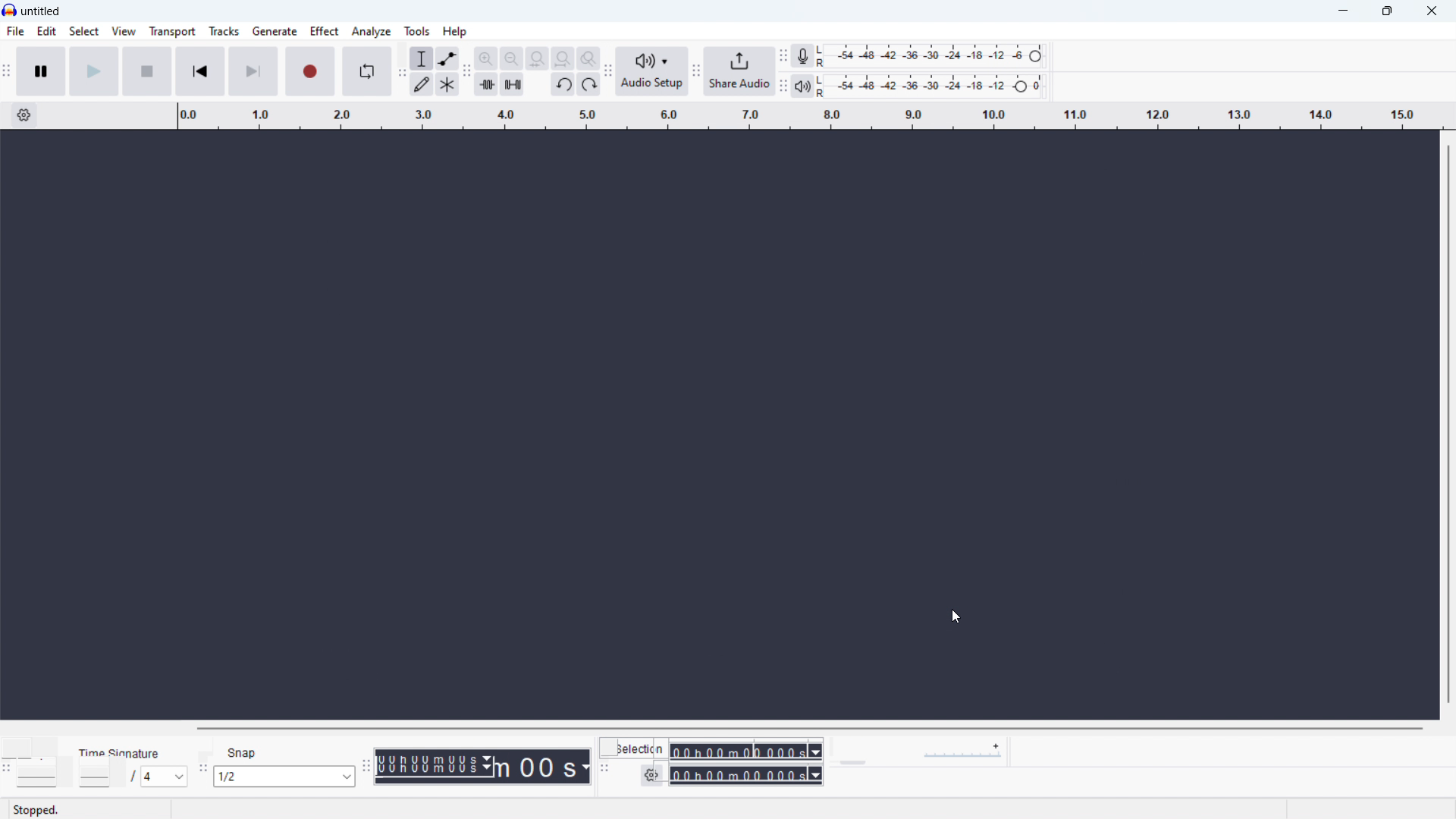  What do you see at coordinates (324, 30) in the screenshot?
I see `effect` at bounding box center [324, 30].